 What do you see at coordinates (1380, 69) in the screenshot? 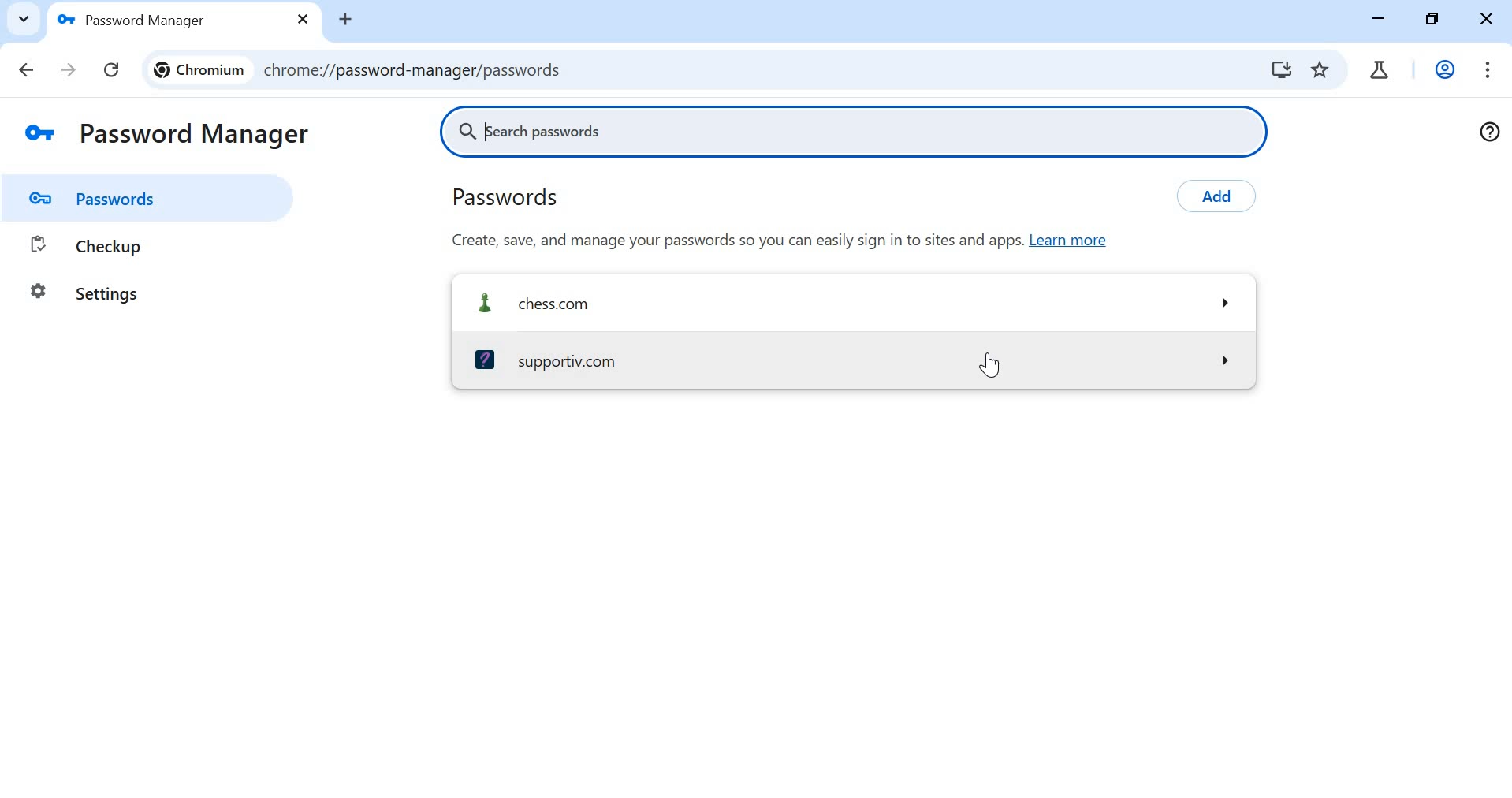
I see `chrome tab` at bounding box center [1380, 69].